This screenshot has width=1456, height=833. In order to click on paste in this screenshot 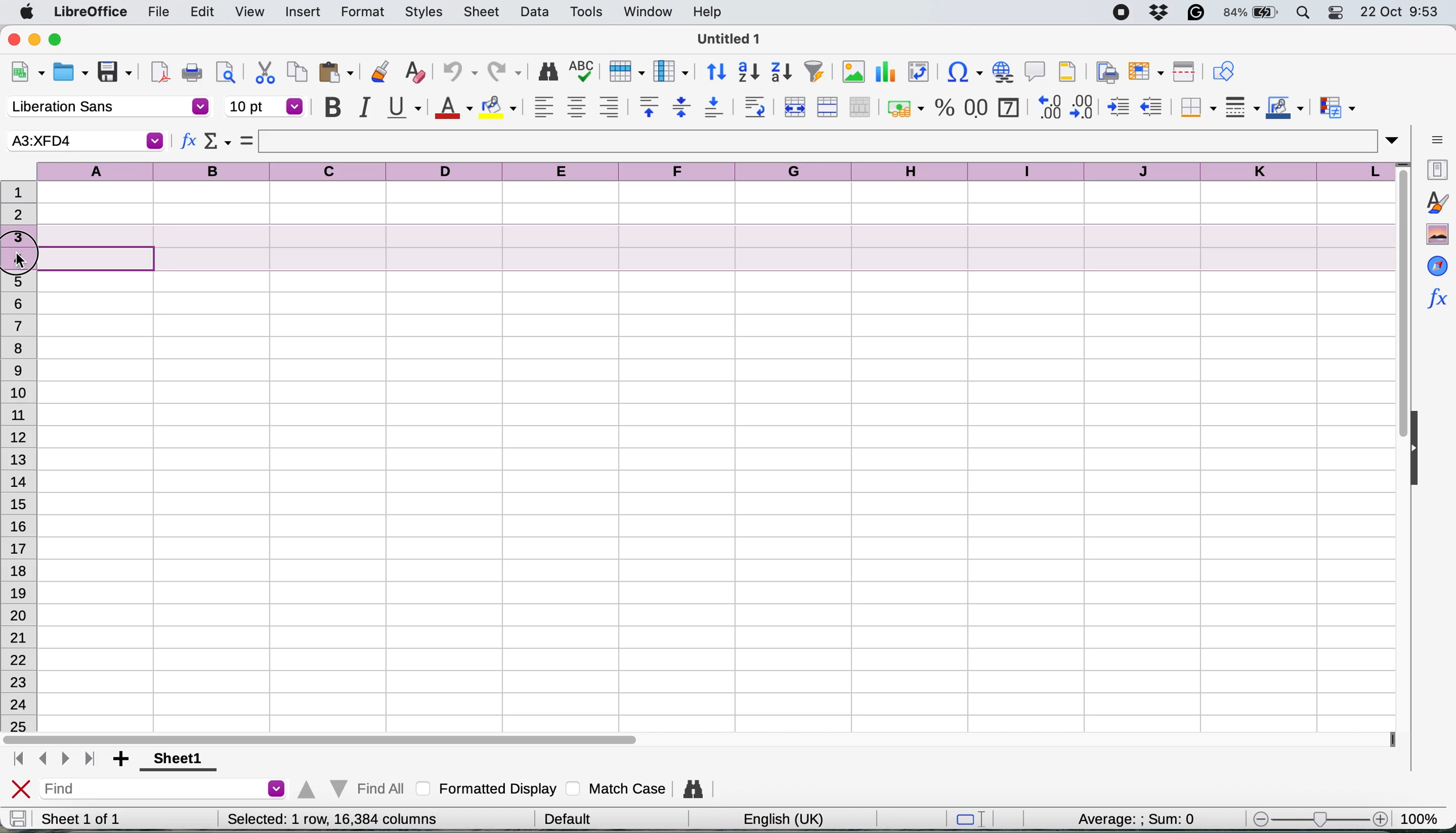, I will do `click(336, 72)`.